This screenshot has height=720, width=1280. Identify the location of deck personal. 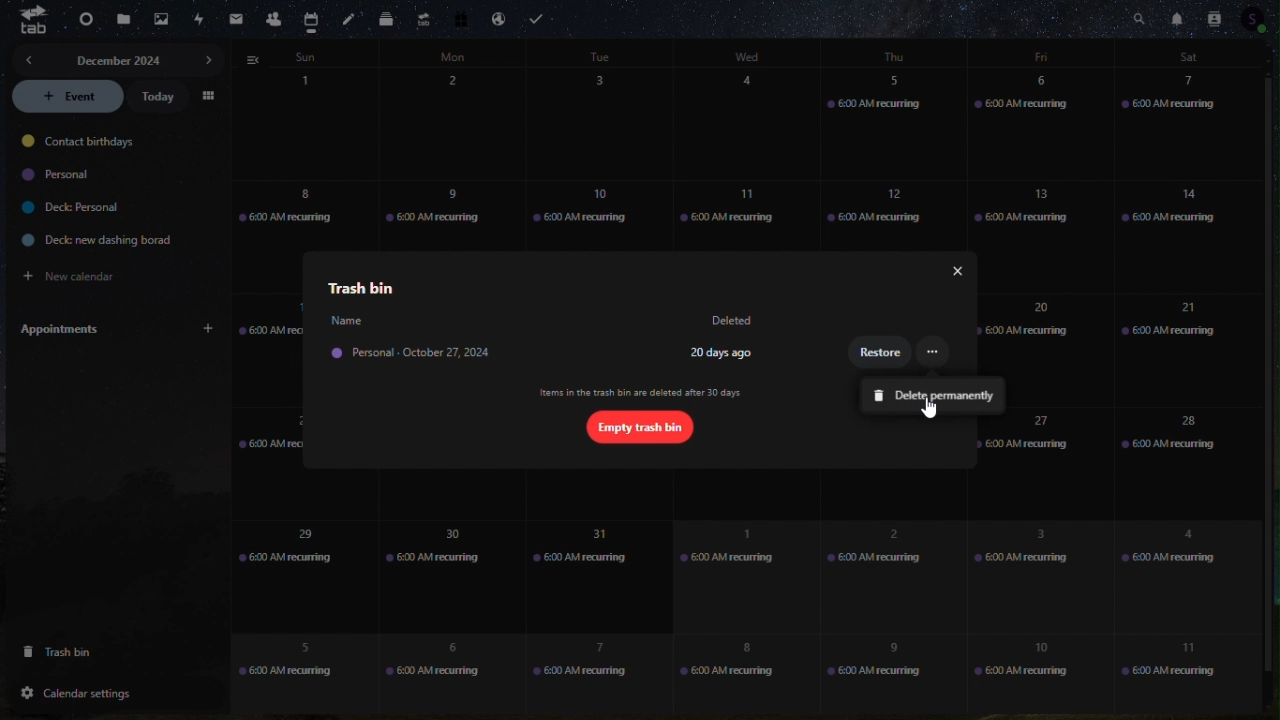
(69, 208).